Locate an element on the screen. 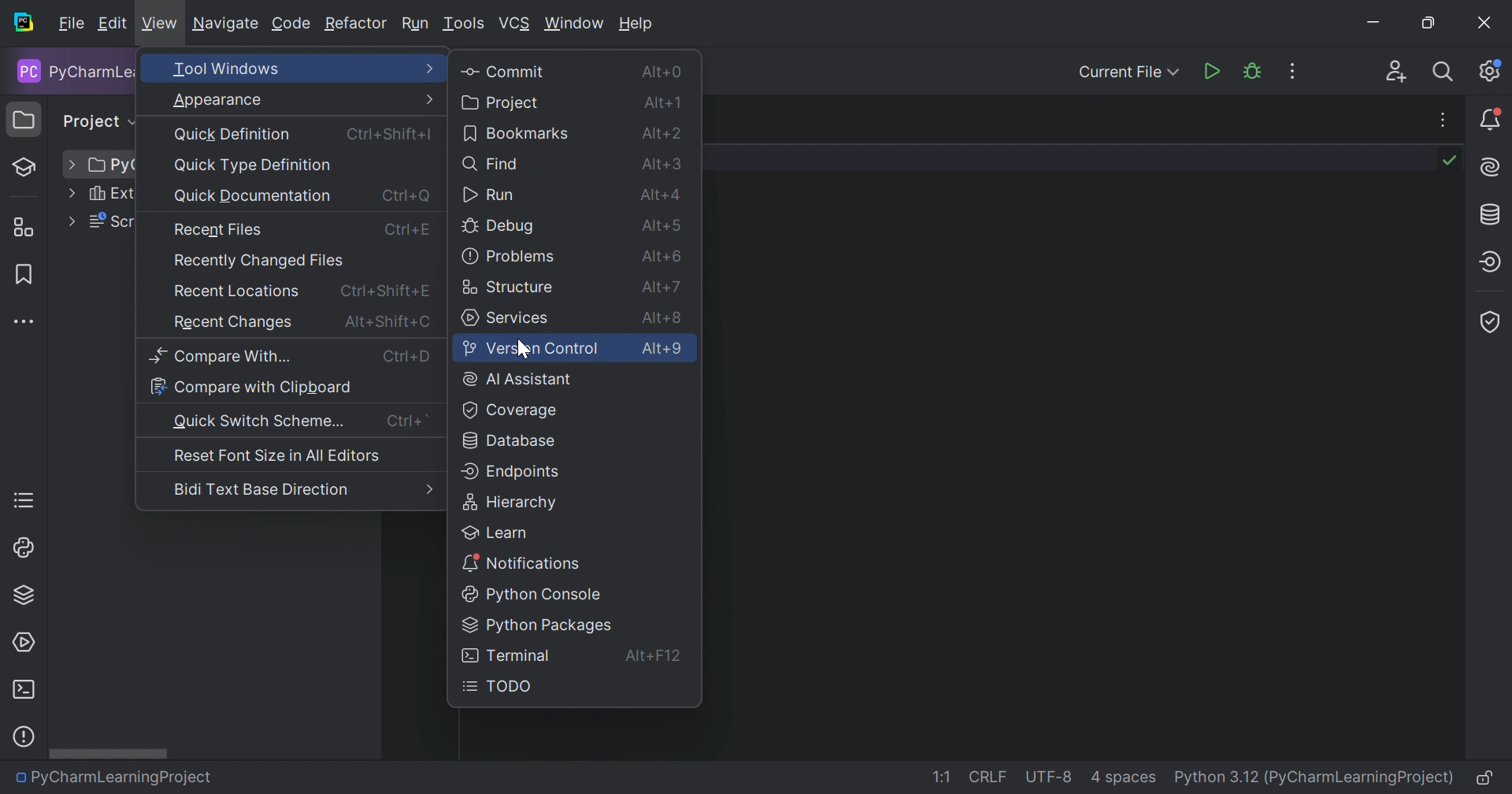 The image size is (1512, 794). Bookmark is located at coordinates (20, 273).